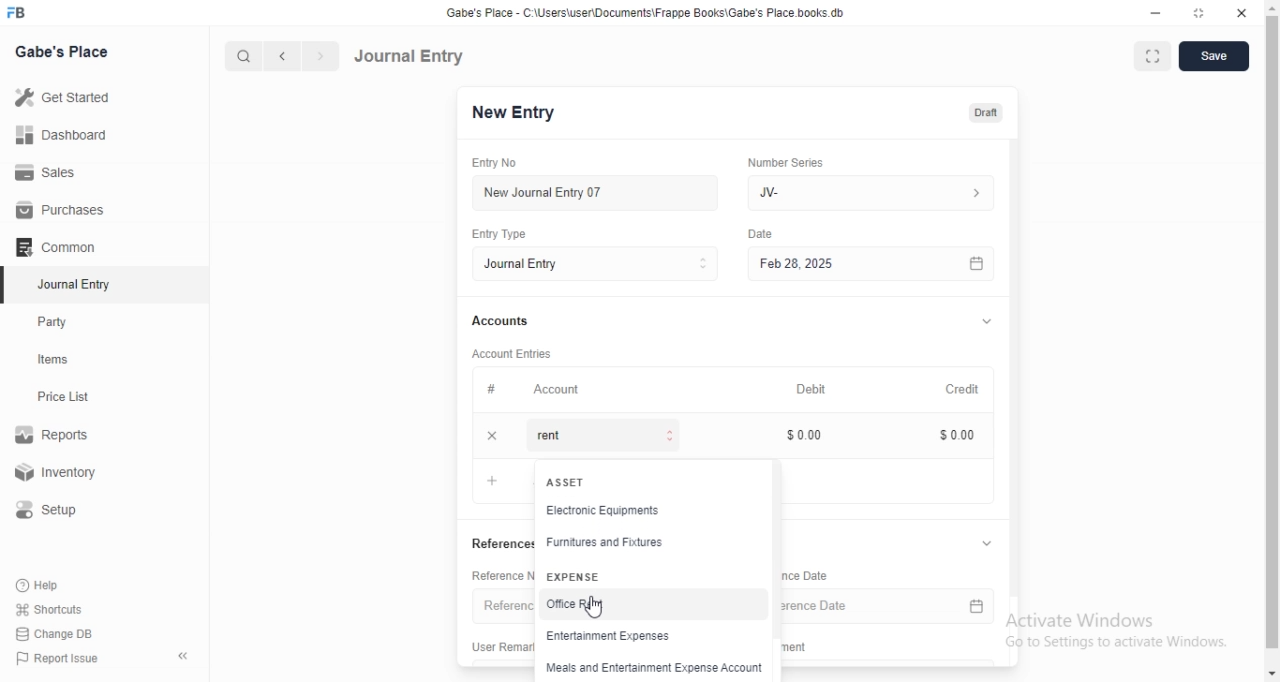 The image size is (1280, 682). Describe the element at coordinates (997, 542) in the screenshot. I see `v` at that location.